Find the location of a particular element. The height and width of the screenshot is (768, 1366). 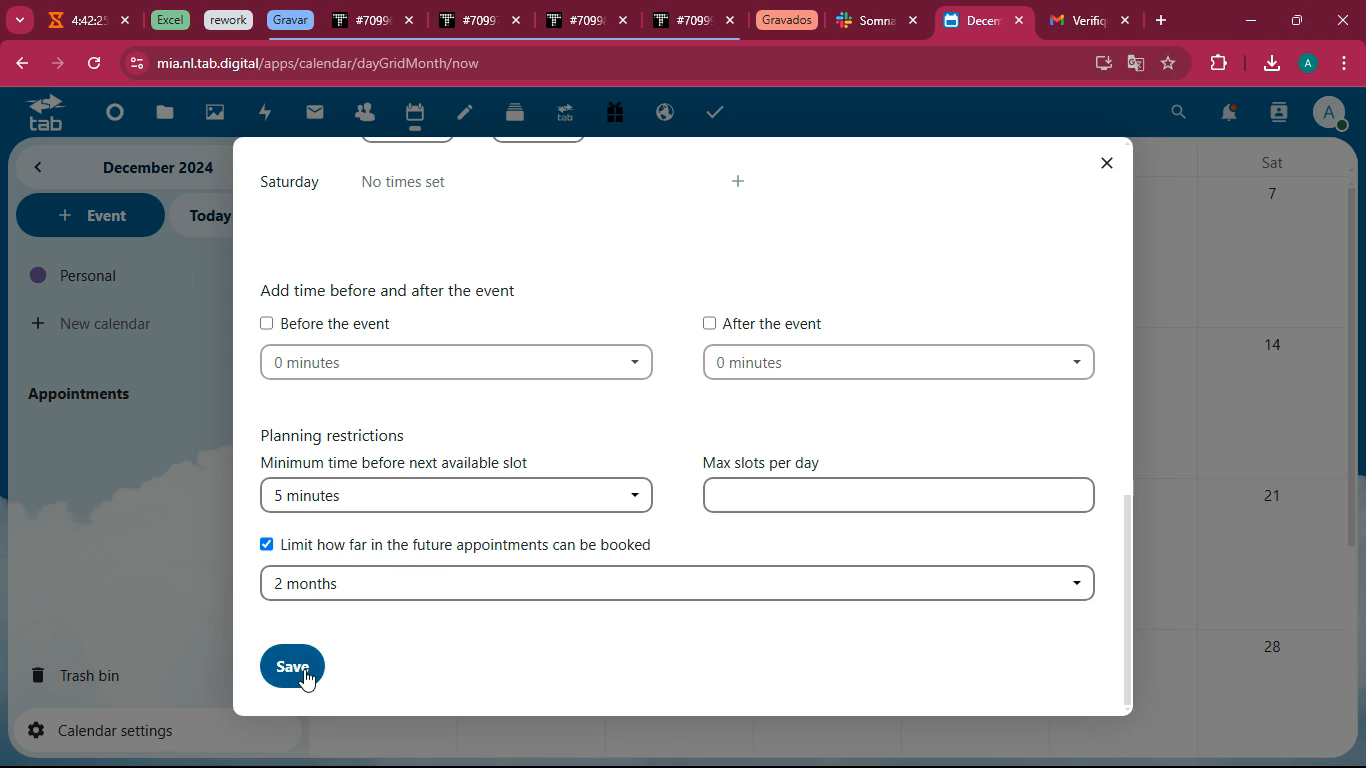

more is located at coordinates (18, 18).